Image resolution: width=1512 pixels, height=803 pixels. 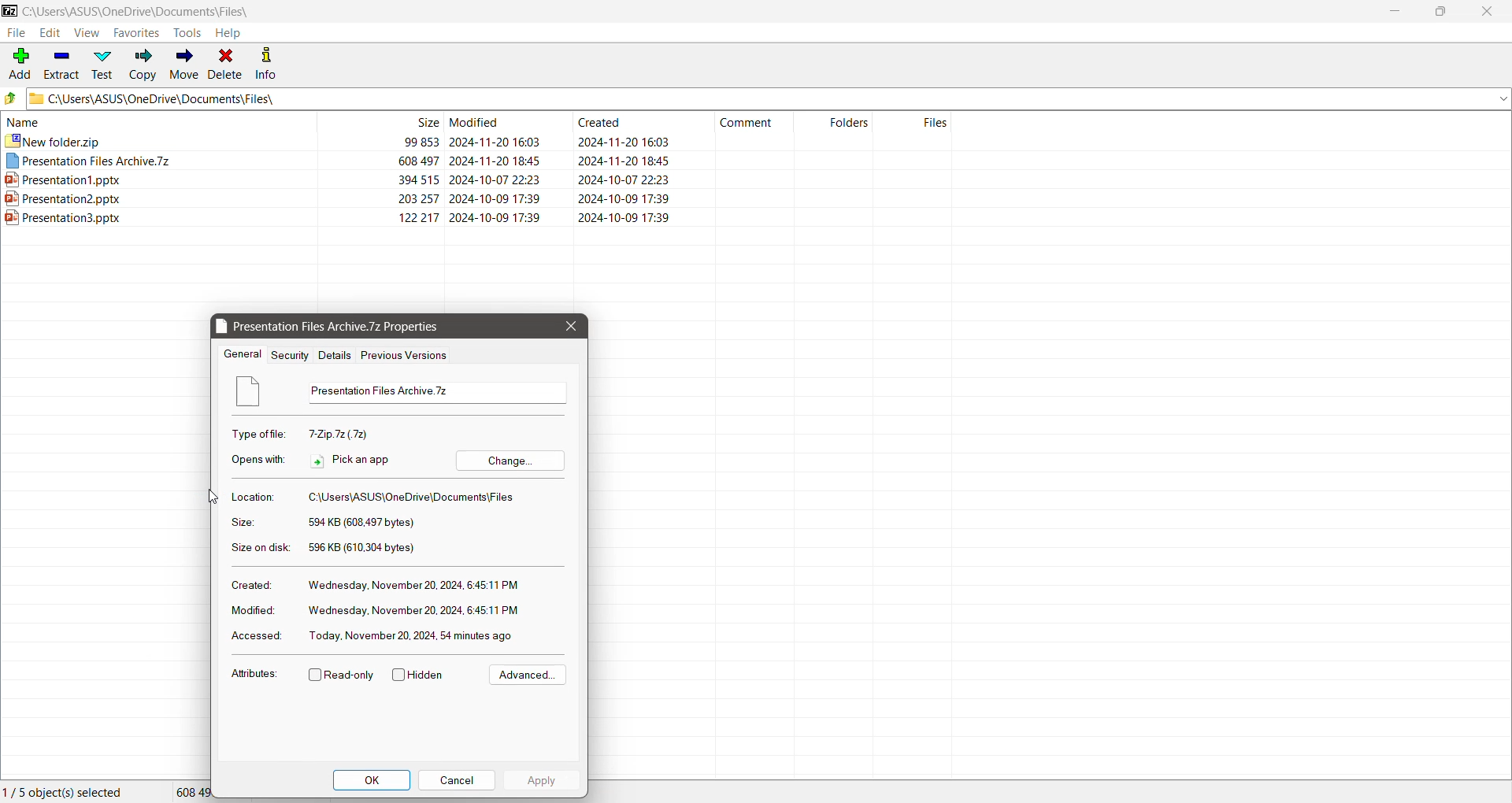 What do you see at coordinates (246, 523) in the screenshot?
I see `Size` at bounding box center [246, 523].